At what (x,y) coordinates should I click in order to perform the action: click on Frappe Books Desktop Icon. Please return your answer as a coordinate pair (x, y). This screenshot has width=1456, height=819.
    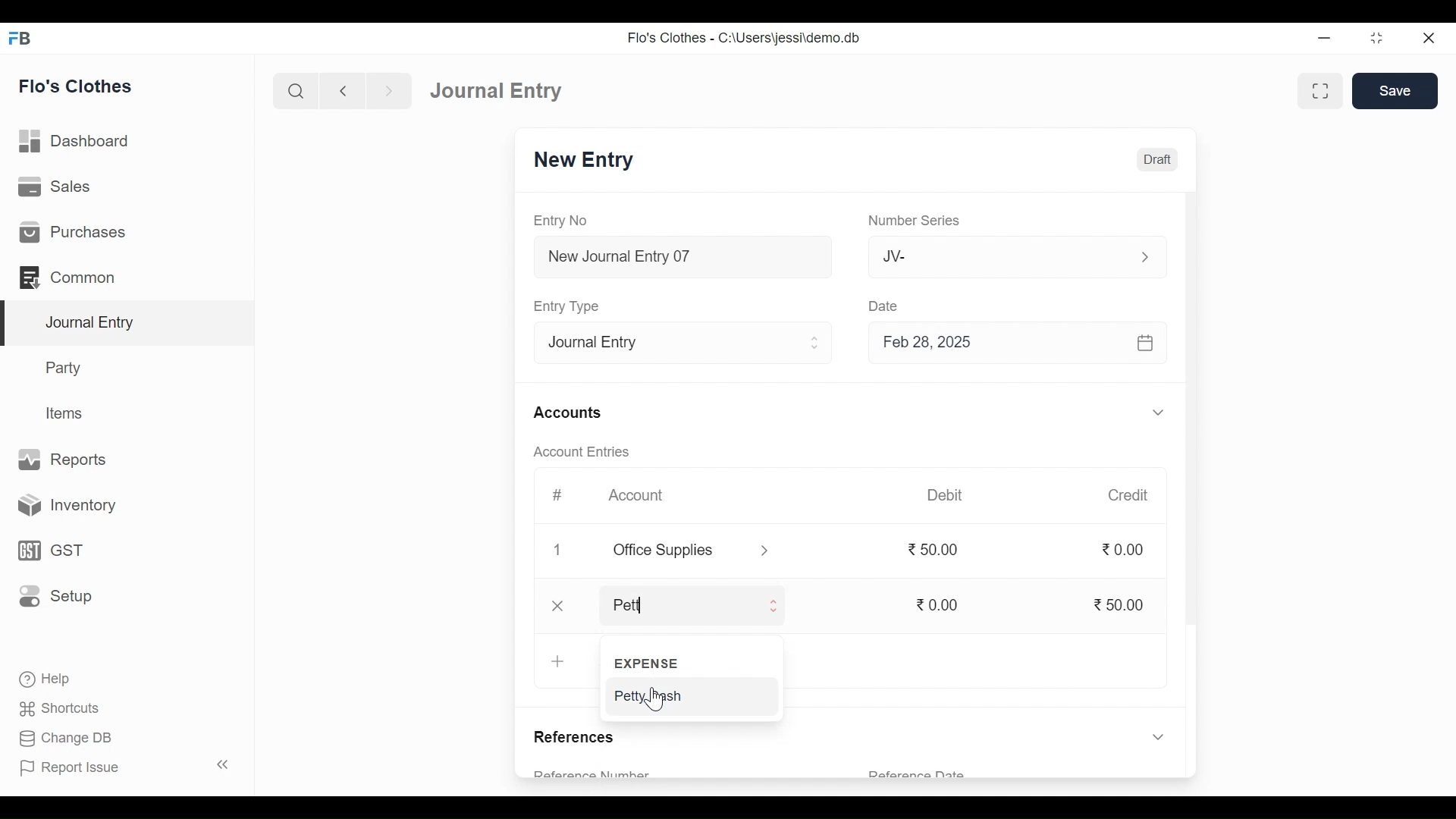
    Looking at the image, I should click on (20, 39).